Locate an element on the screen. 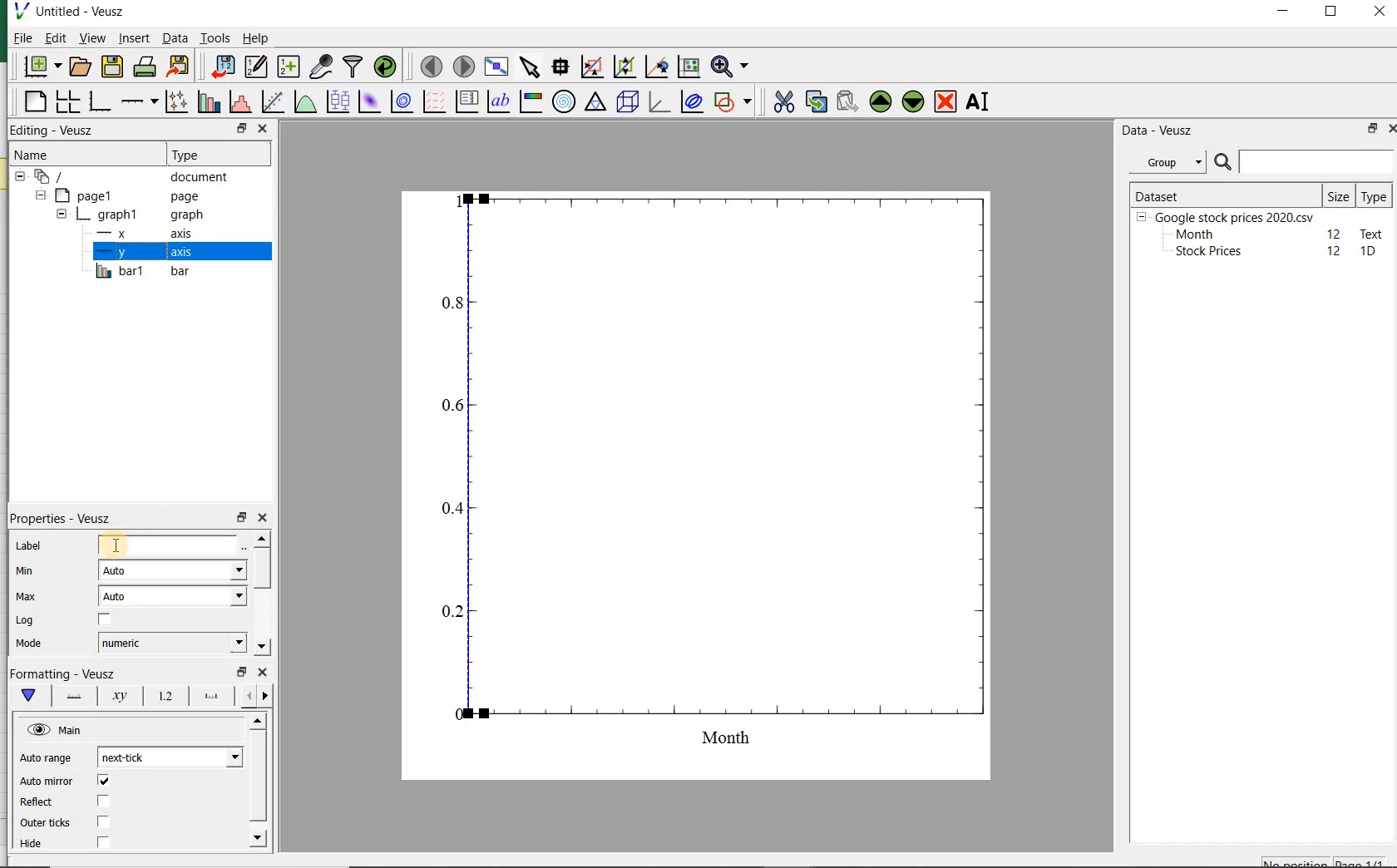  close is located at coordinates (262, 673).